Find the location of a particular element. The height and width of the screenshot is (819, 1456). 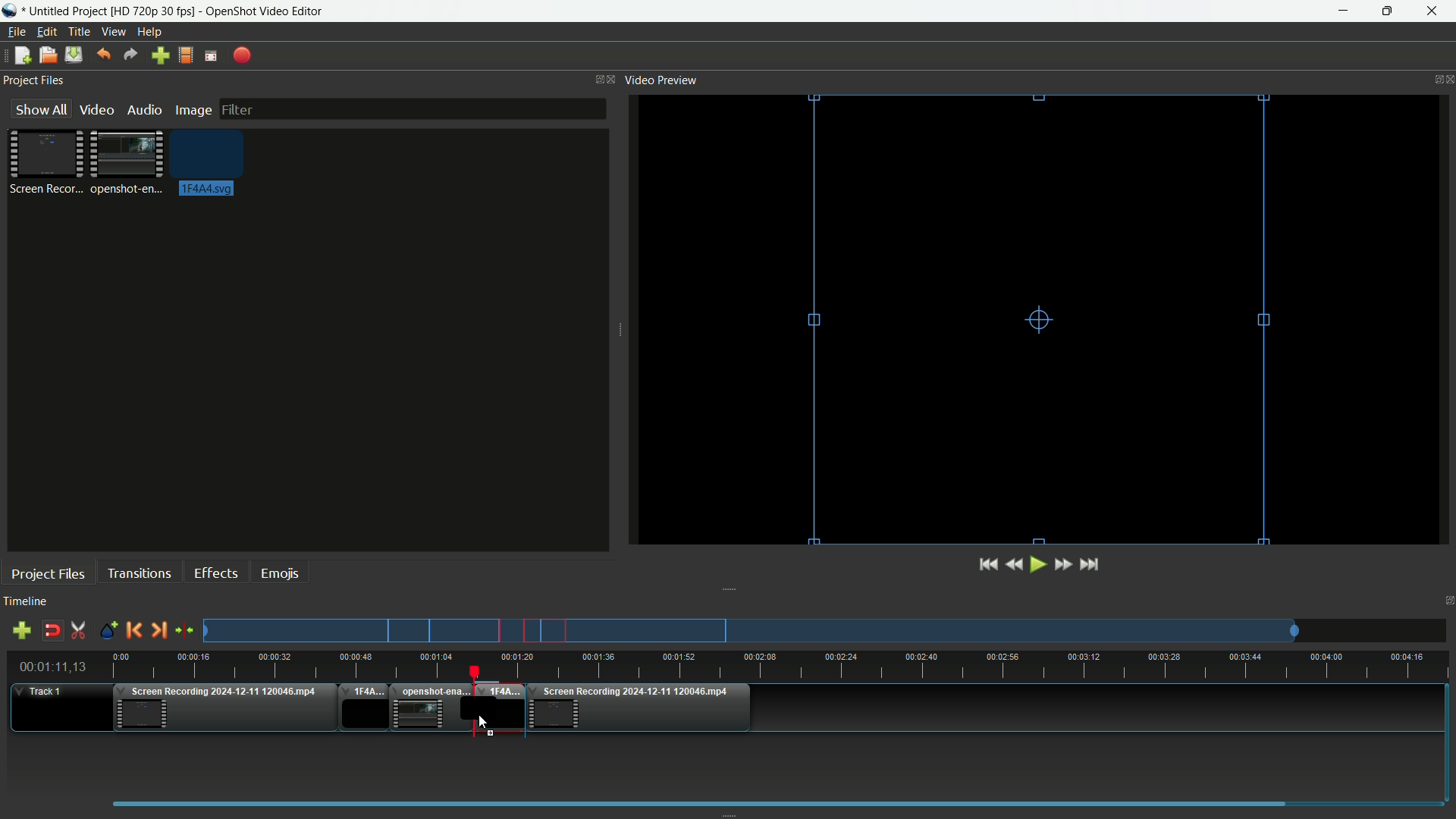

Project files is located at coordinates (33, 80).